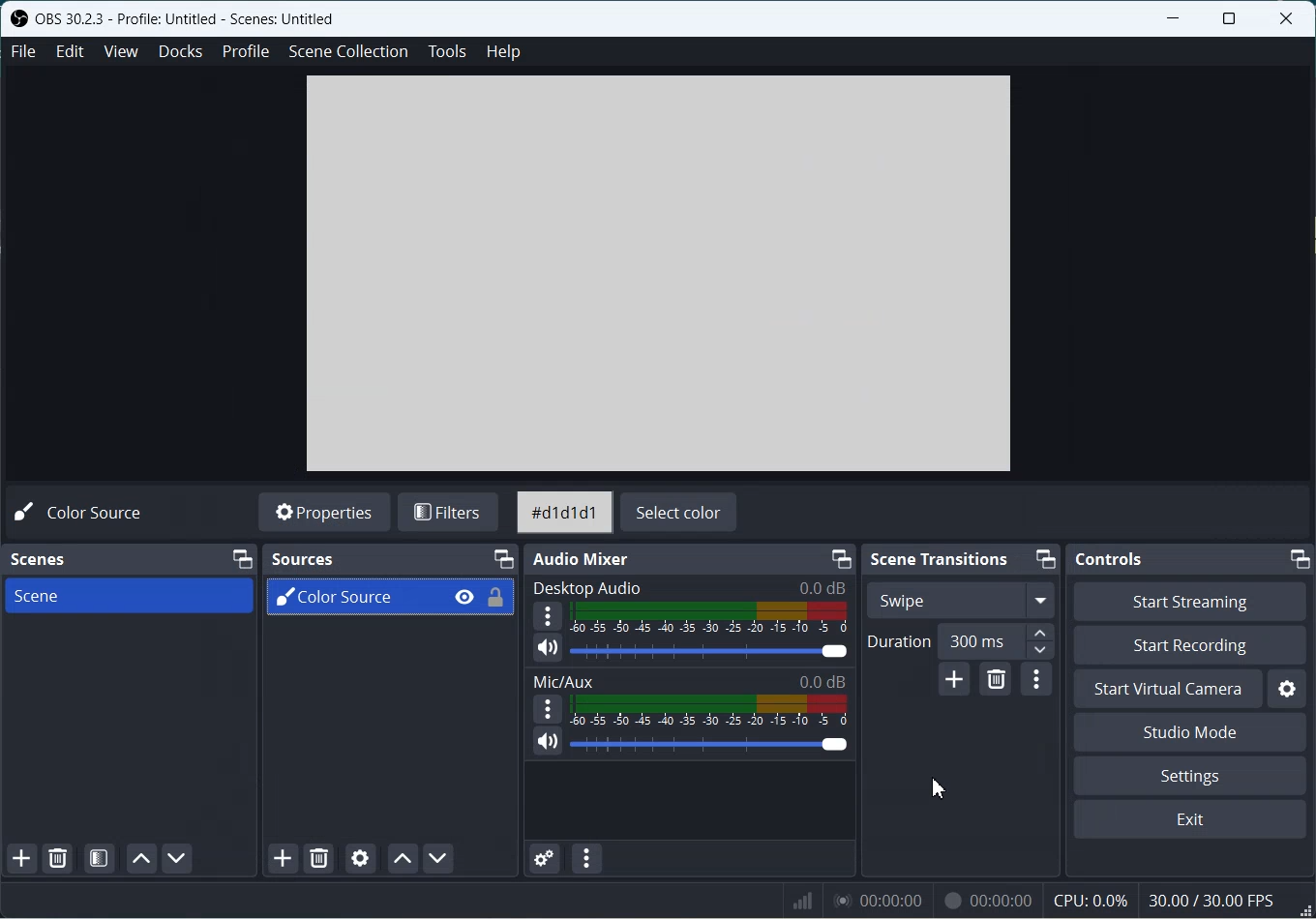  I want to click on Open scene Filter, so click(99, 858).